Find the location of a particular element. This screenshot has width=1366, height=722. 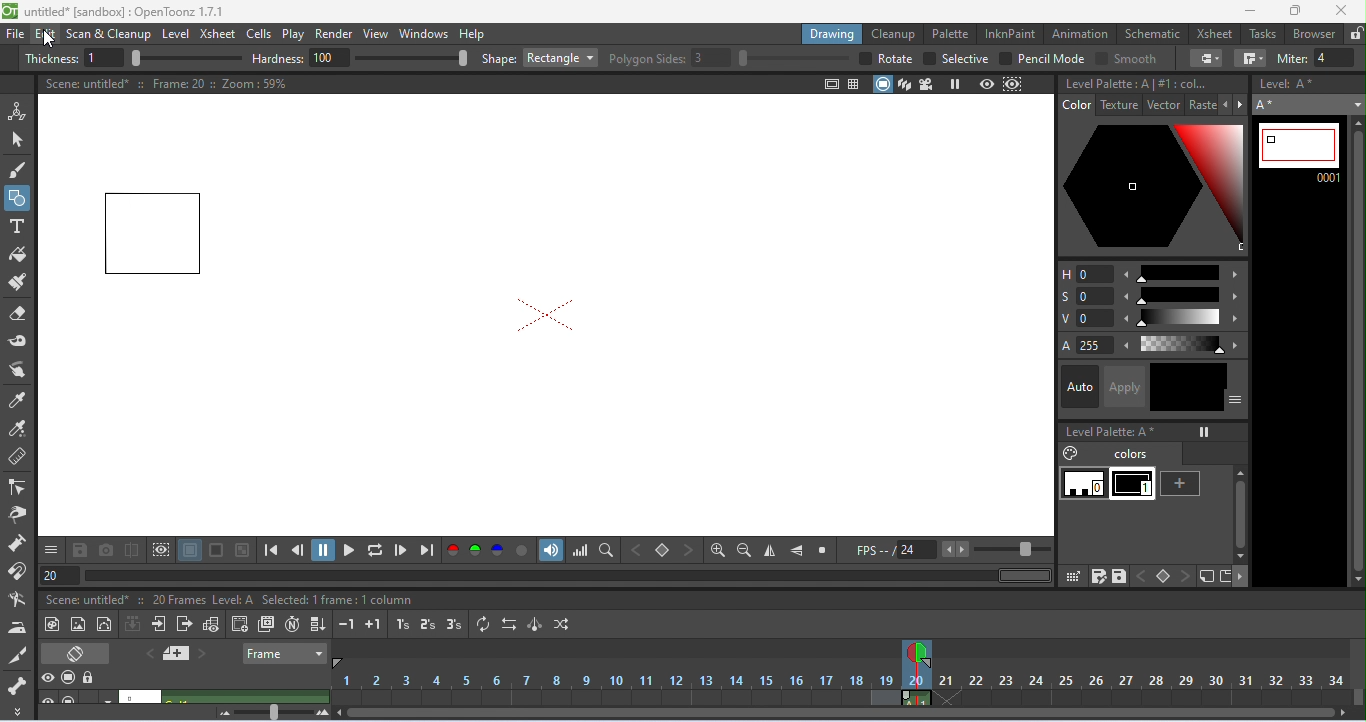

animate is located at coordinates (16, 110).